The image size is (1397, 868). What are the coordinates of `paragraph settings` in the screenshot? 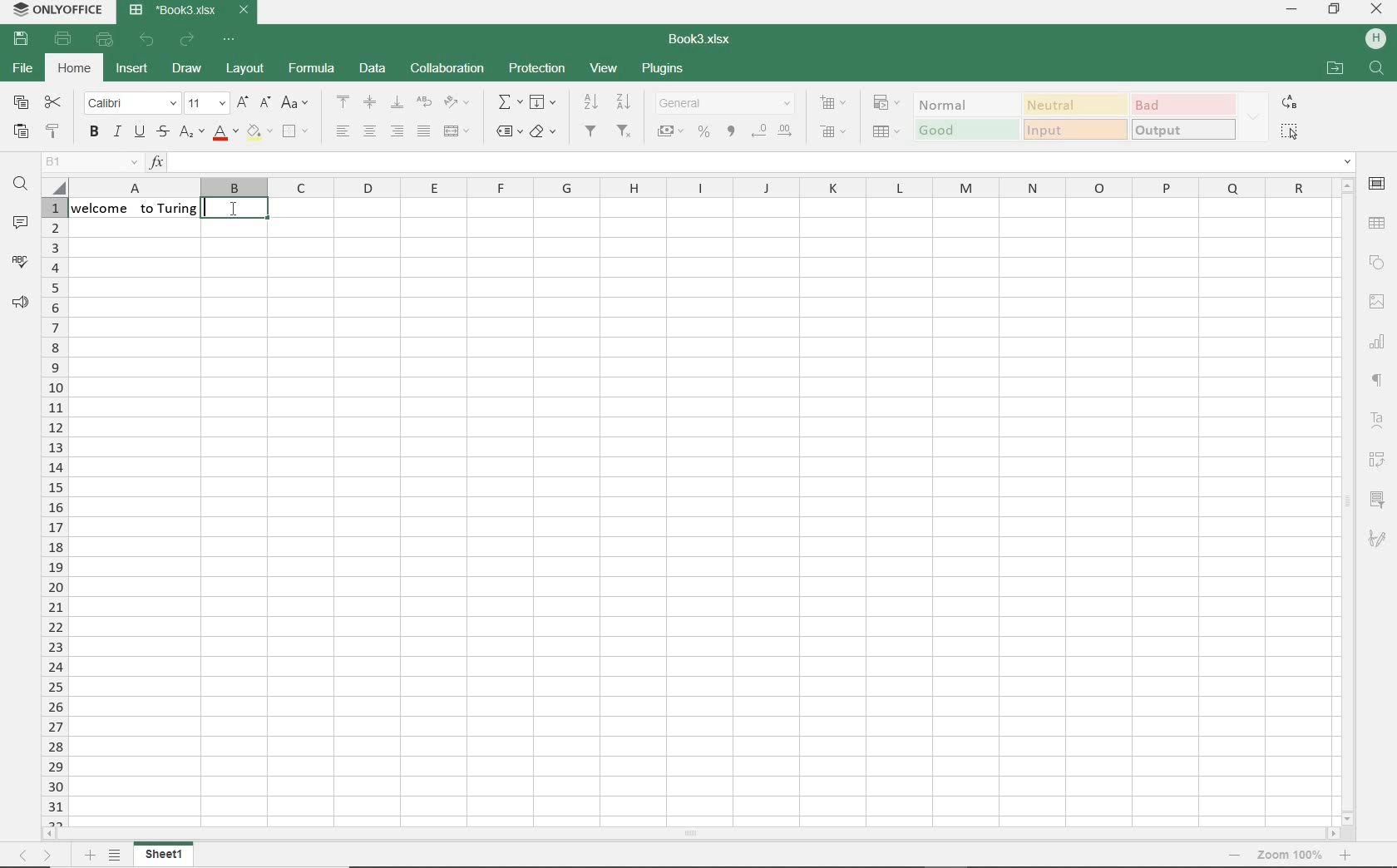 It's located at (1379, 379).